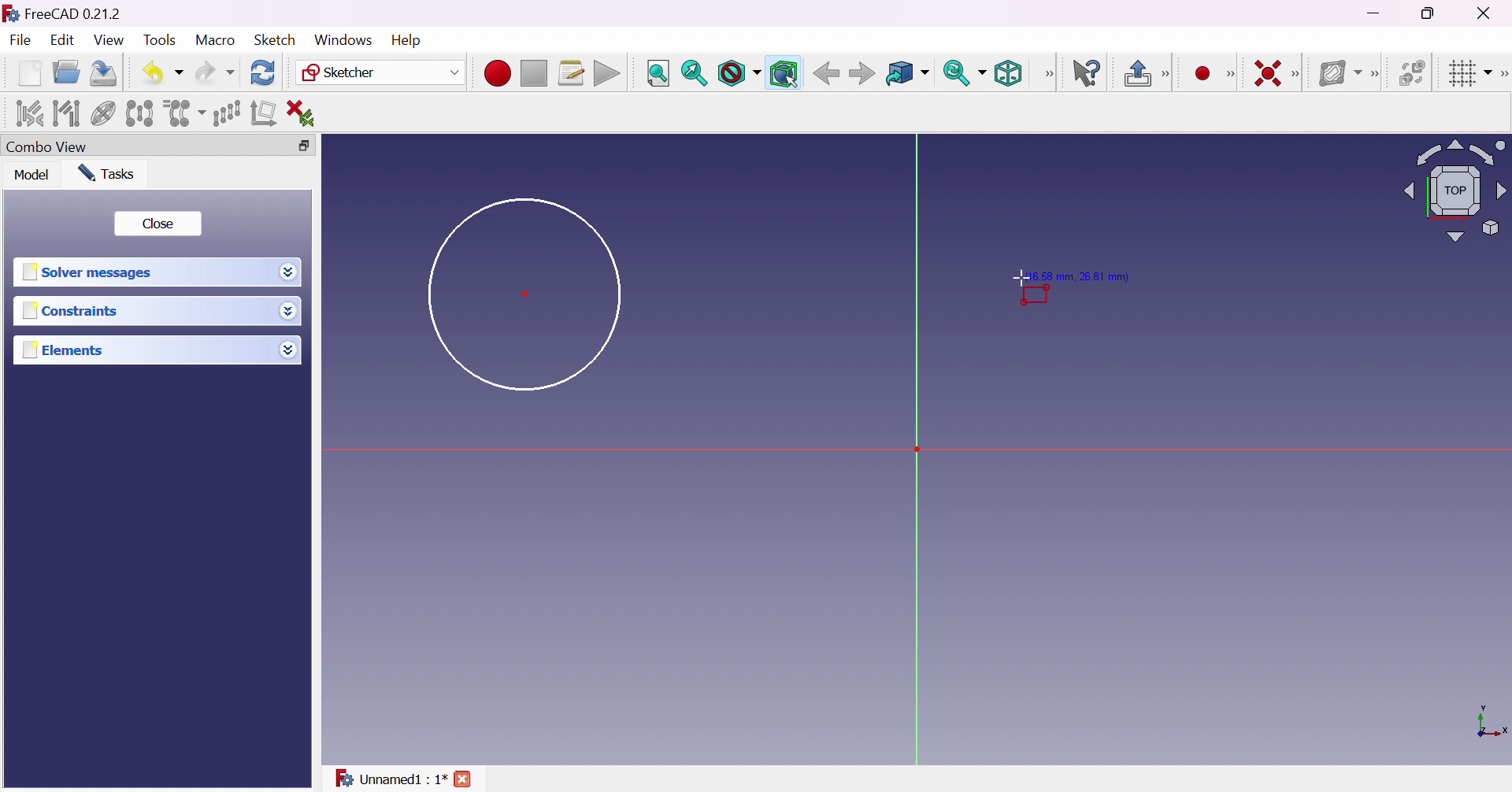  I want to click on Tools, so click(161, 40).